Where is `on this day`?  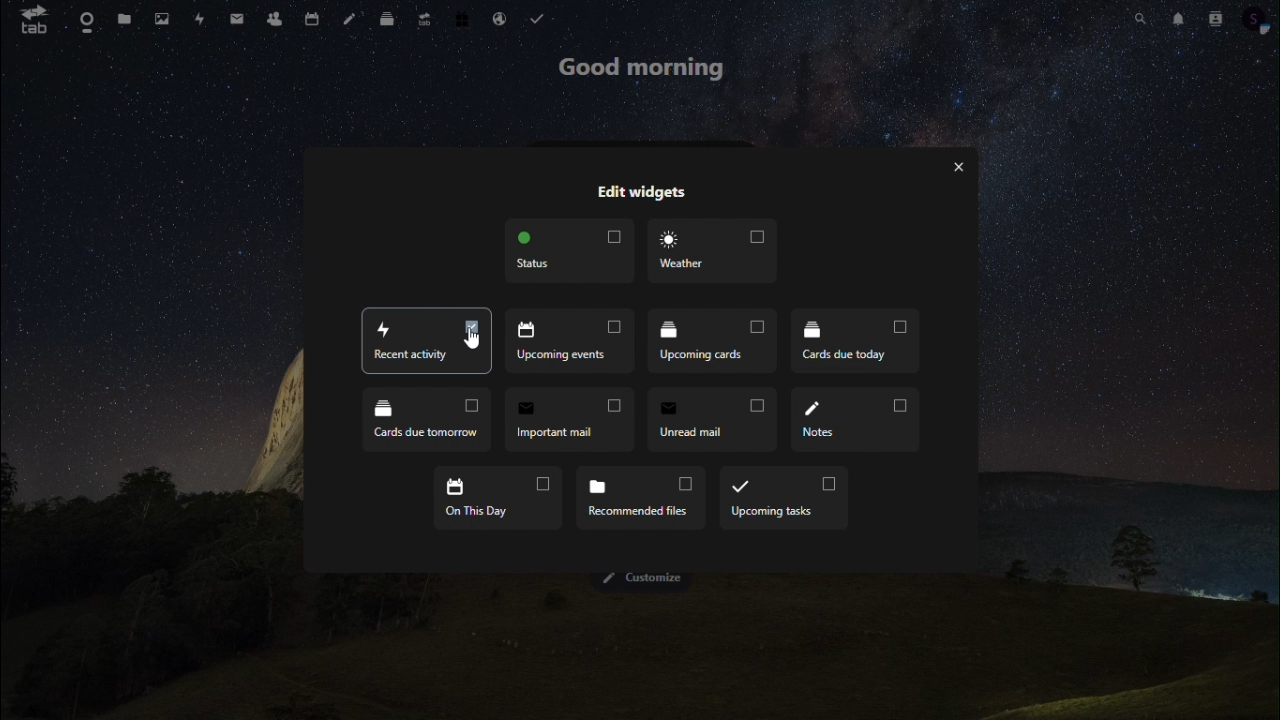 on this day is located at coordinates (496, 497).